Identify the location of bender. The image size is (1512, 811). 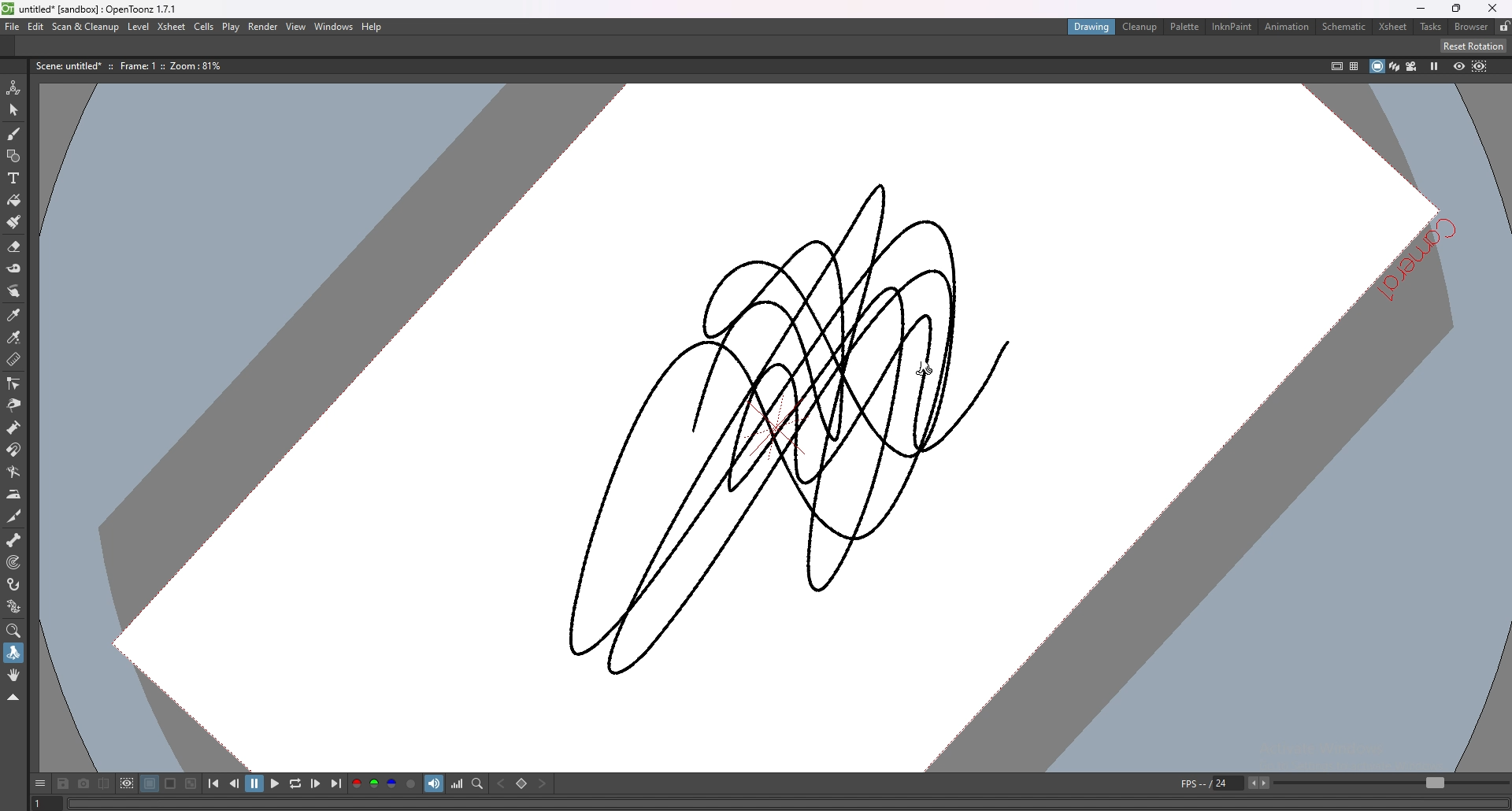
(14, 472).